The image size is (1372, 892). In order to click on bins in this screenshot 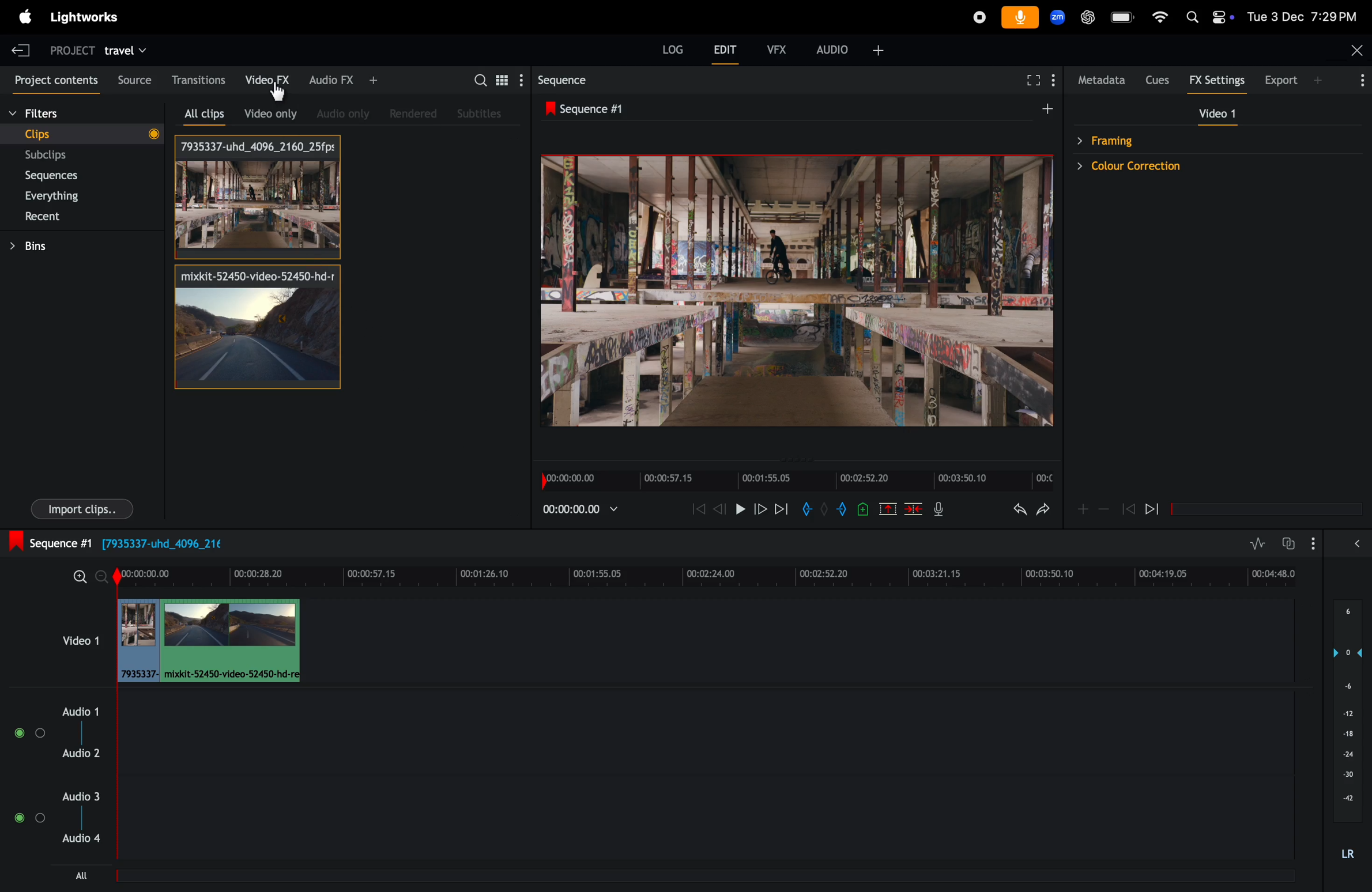, I will do `click(52, 246)`.